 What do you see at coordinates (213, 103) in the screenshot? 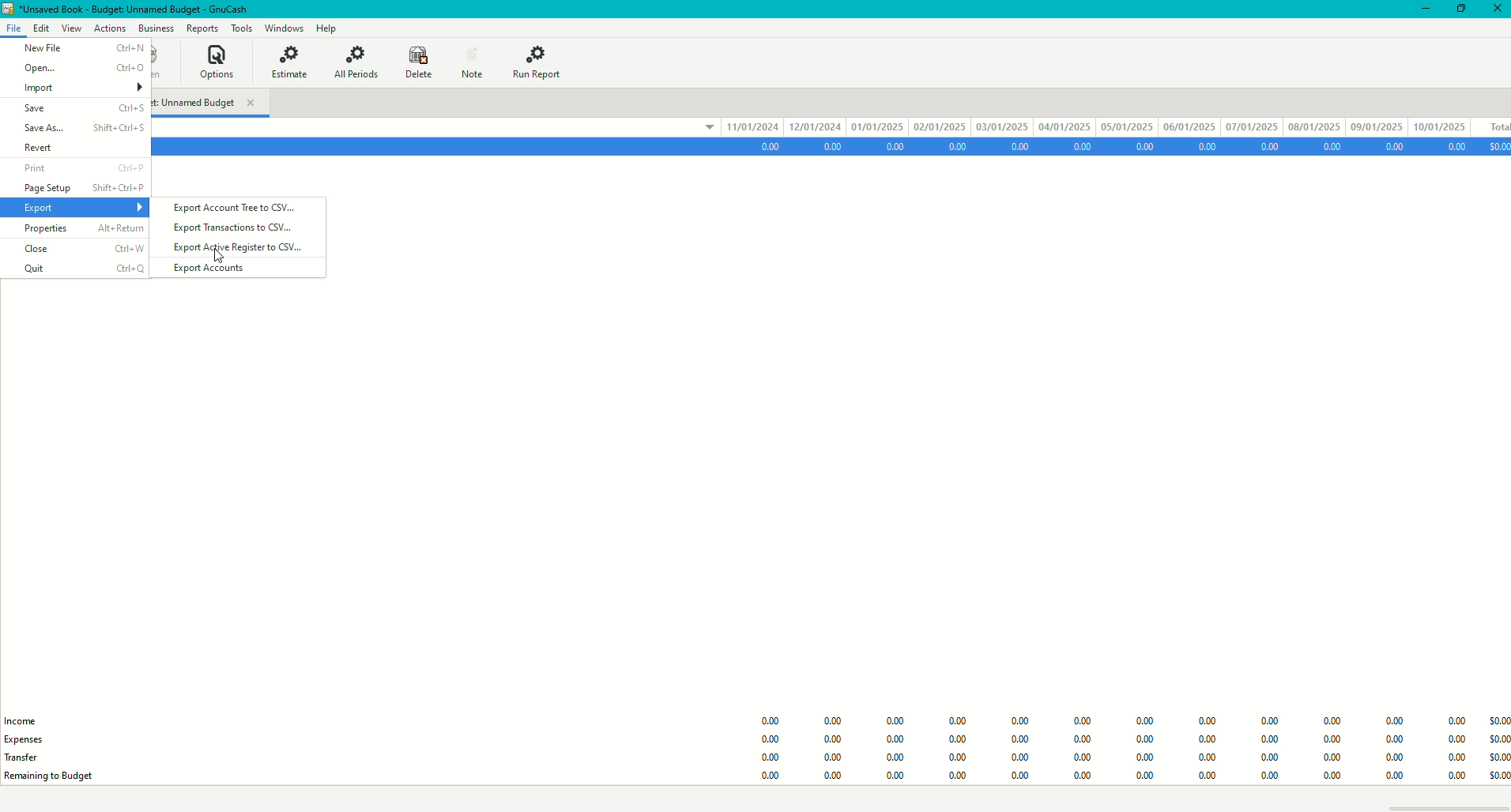
I see `Unnamed Budget` at bounding box center [213, 103].